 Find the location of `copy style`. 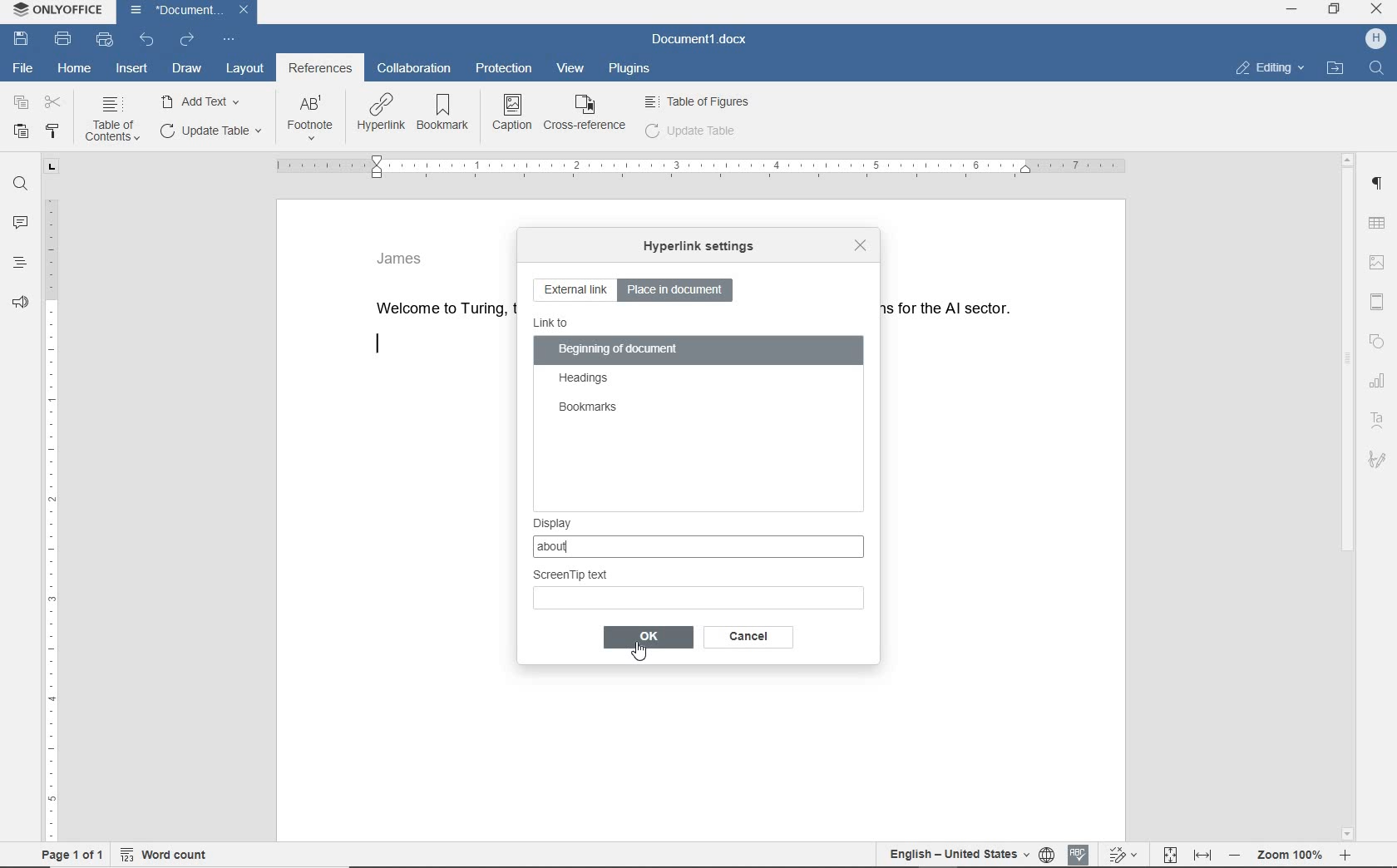

copy style is located at coordinates (55, 130).